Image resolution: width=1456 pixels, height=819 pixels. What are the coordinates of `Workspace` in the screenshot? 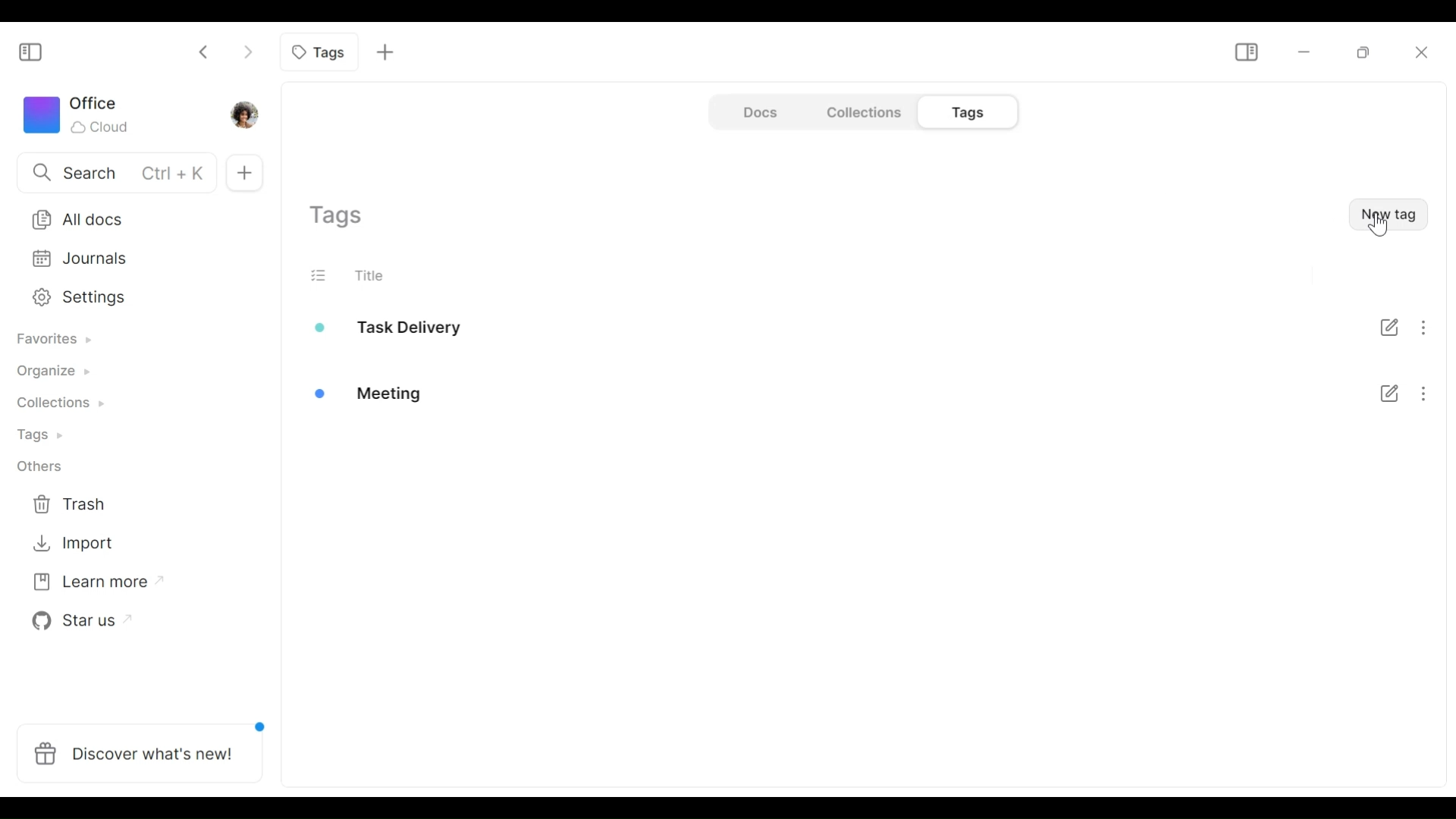 It's located at (87, 113).